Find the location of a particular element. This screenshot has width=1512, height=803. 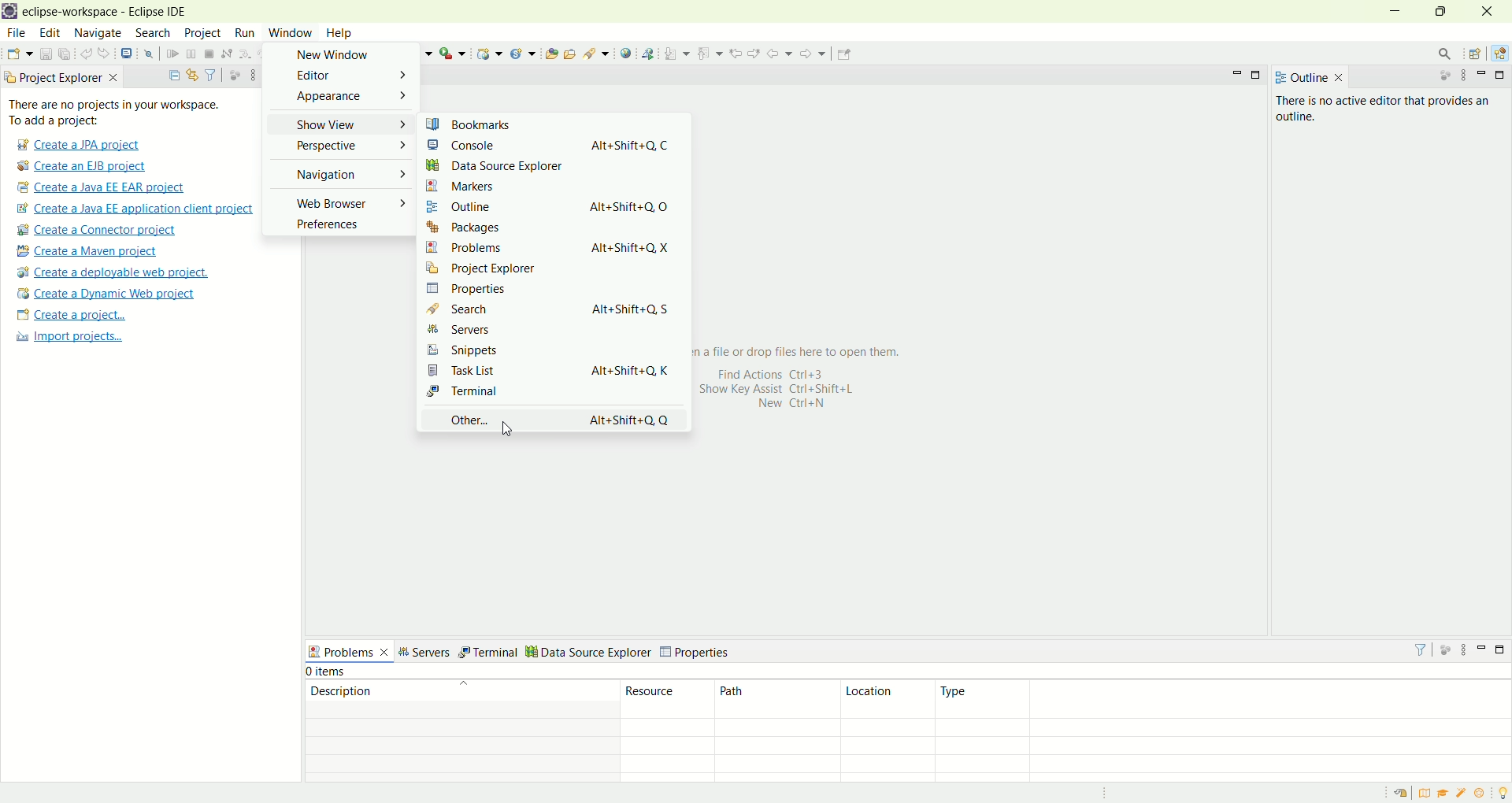

create a EJB project is located at coordinates (85, 166).